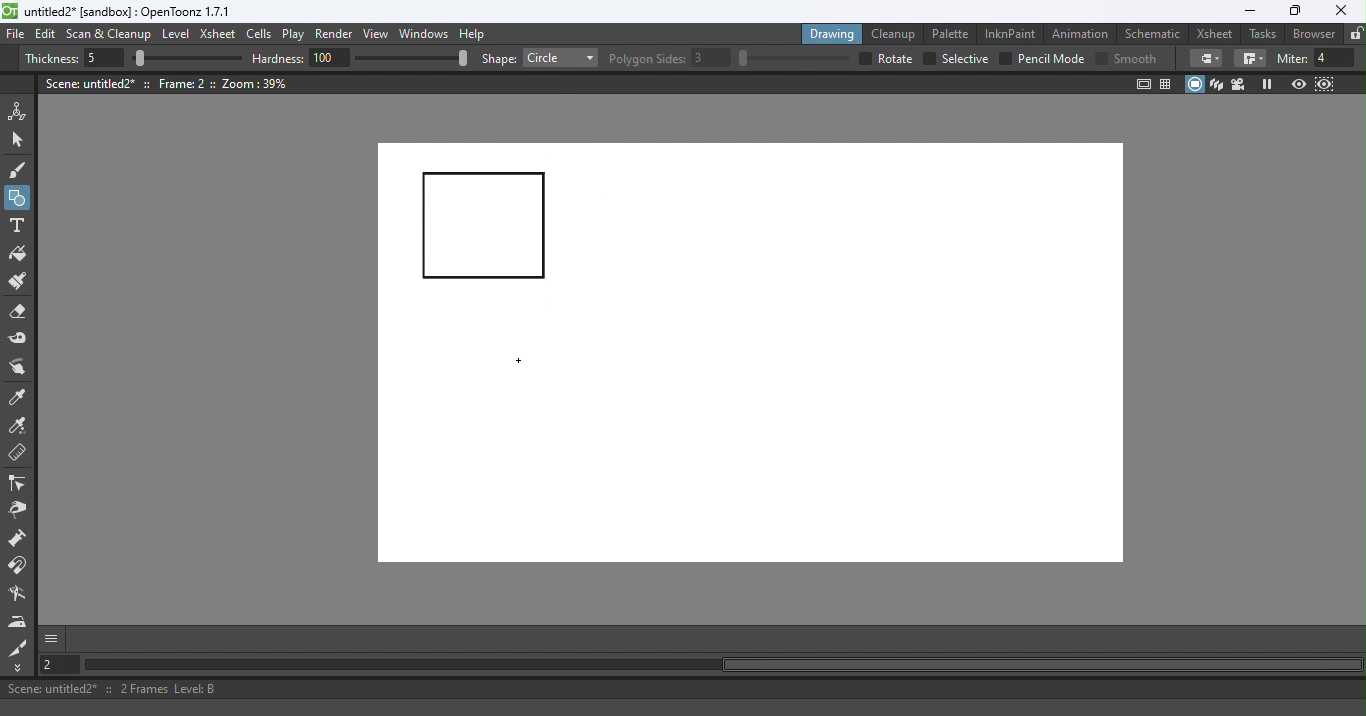 Image resolution: width=1366 pixels, height=716 pixels. Describe the element at coordinates (411, 57) in the screenshot. I see `slider` at that location.